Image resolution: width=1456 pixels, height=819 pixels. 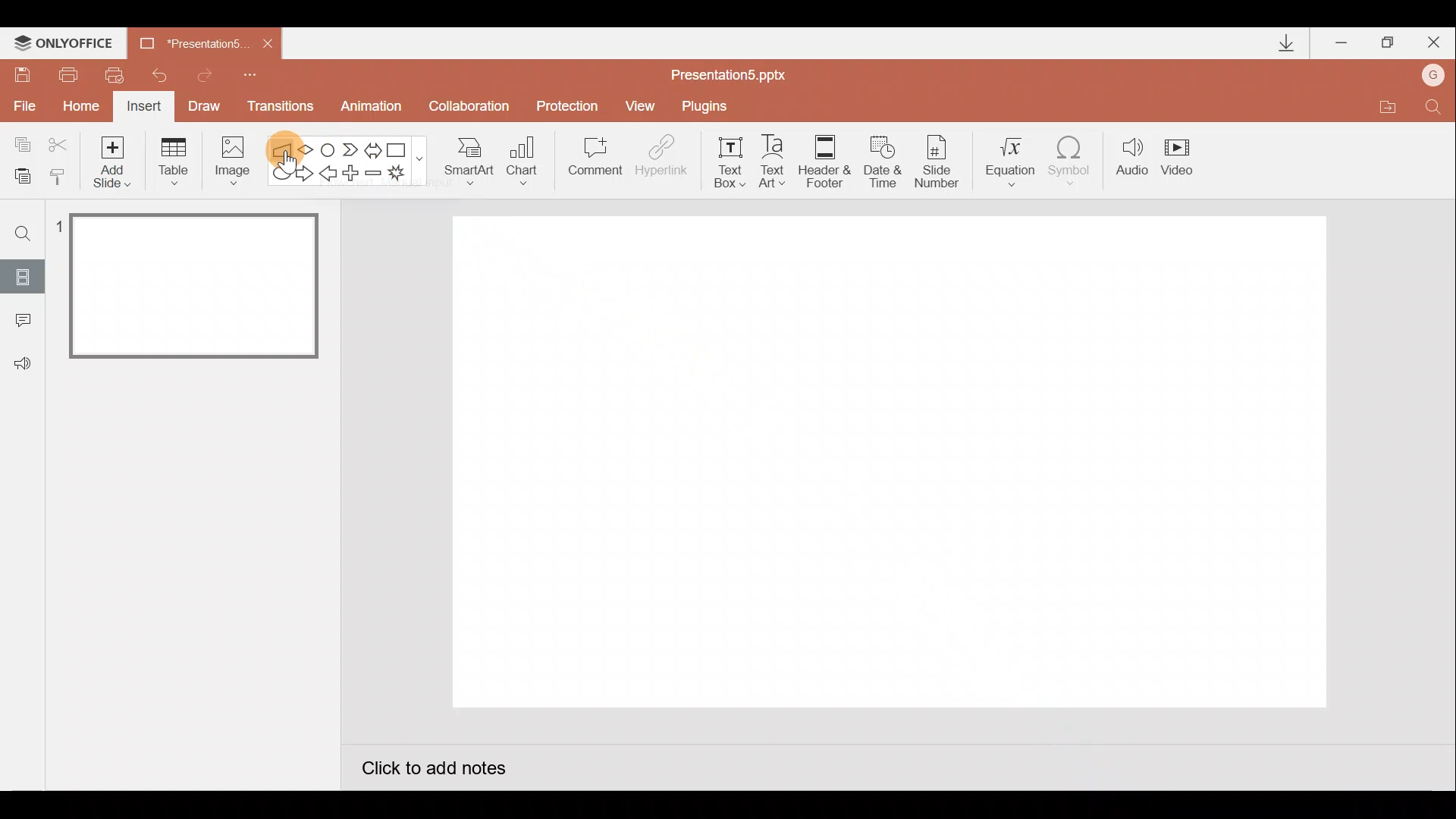 I want to click on Customize quick access toolbar, so click(x=250, y=73).